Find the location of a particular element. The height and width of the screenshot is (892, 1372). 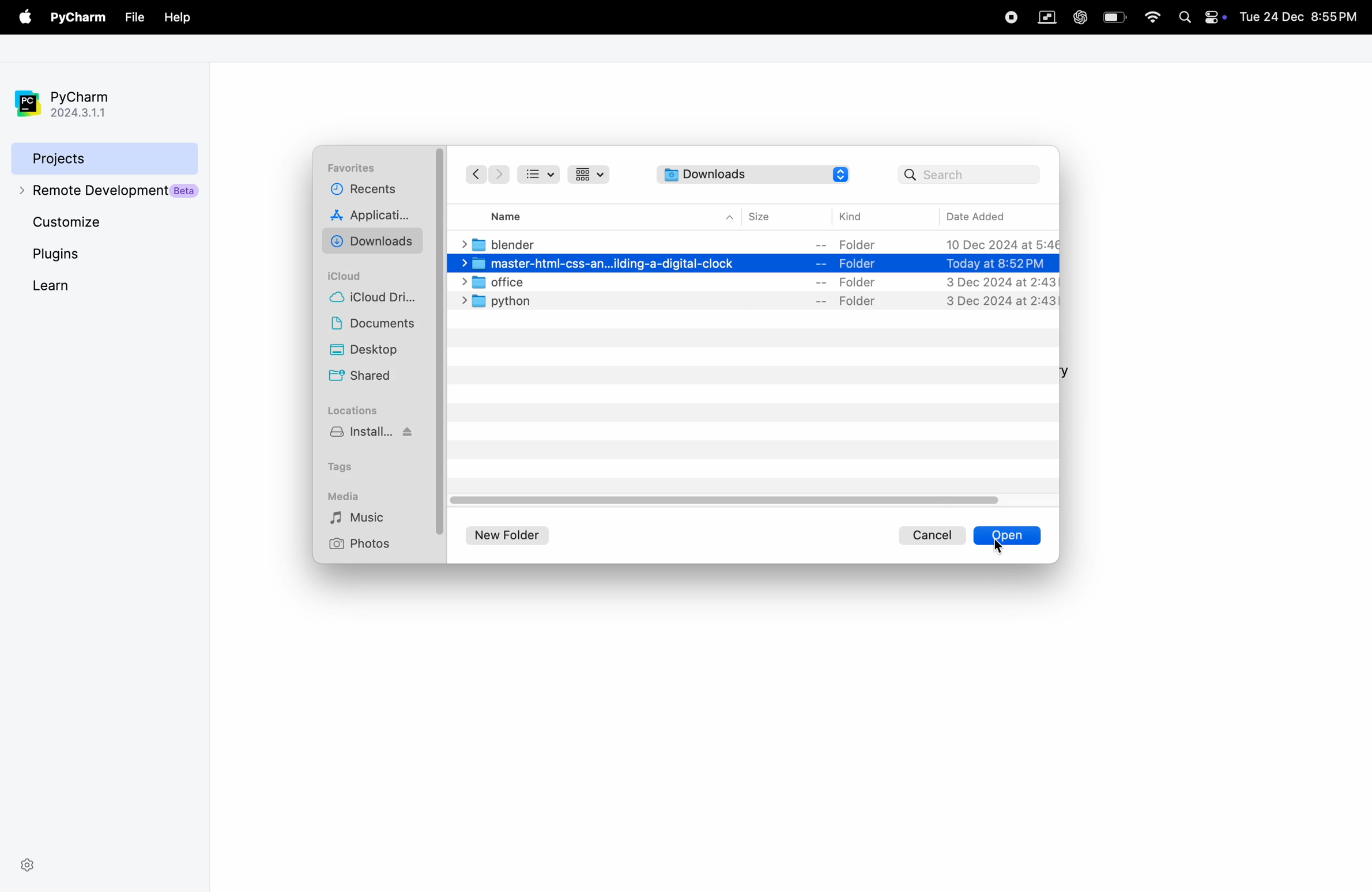

downlaods is located at coordinates (376, 241).